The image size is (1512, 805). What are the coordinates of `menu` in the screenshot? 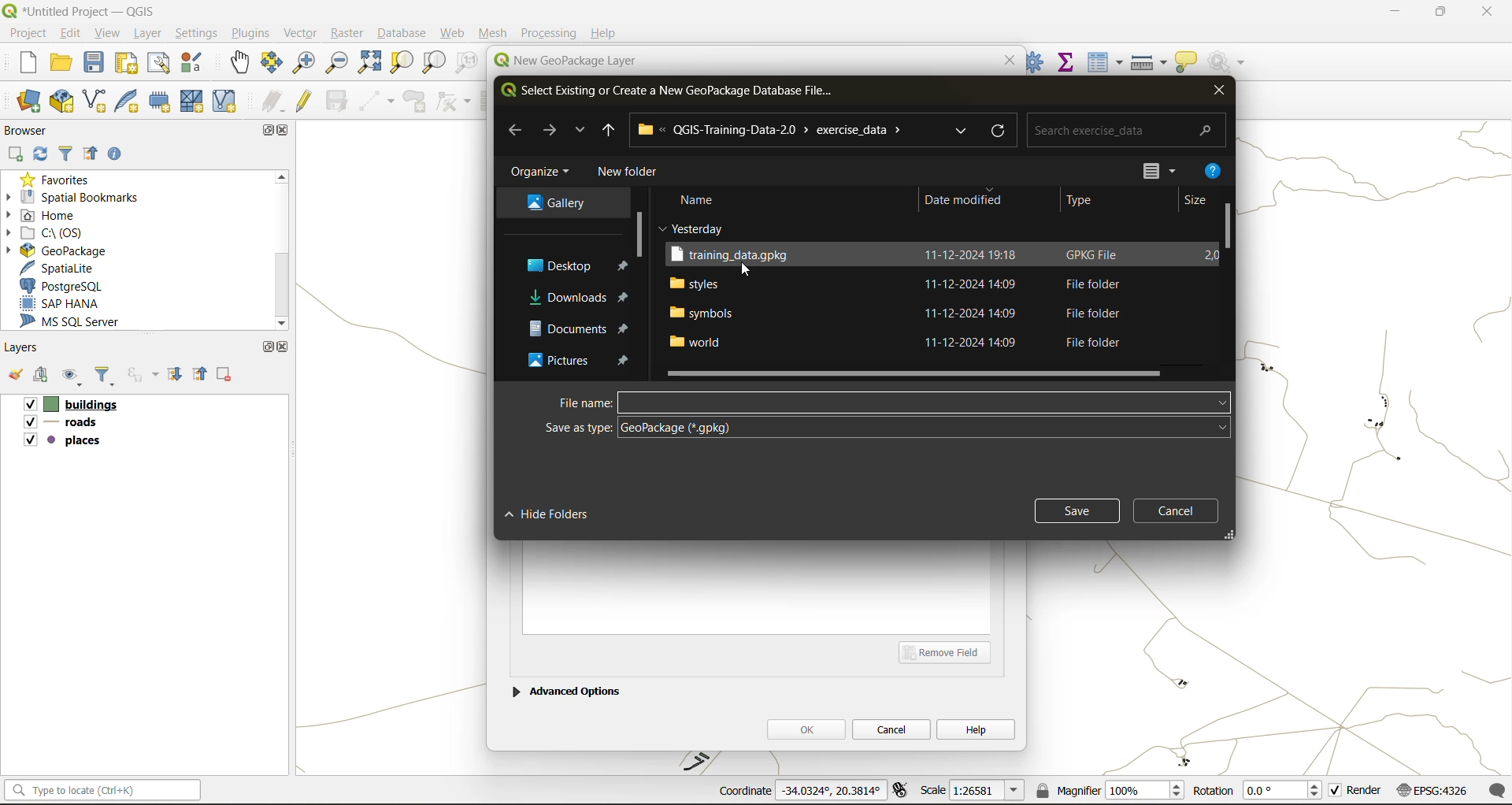 It's located at (1141, 167).